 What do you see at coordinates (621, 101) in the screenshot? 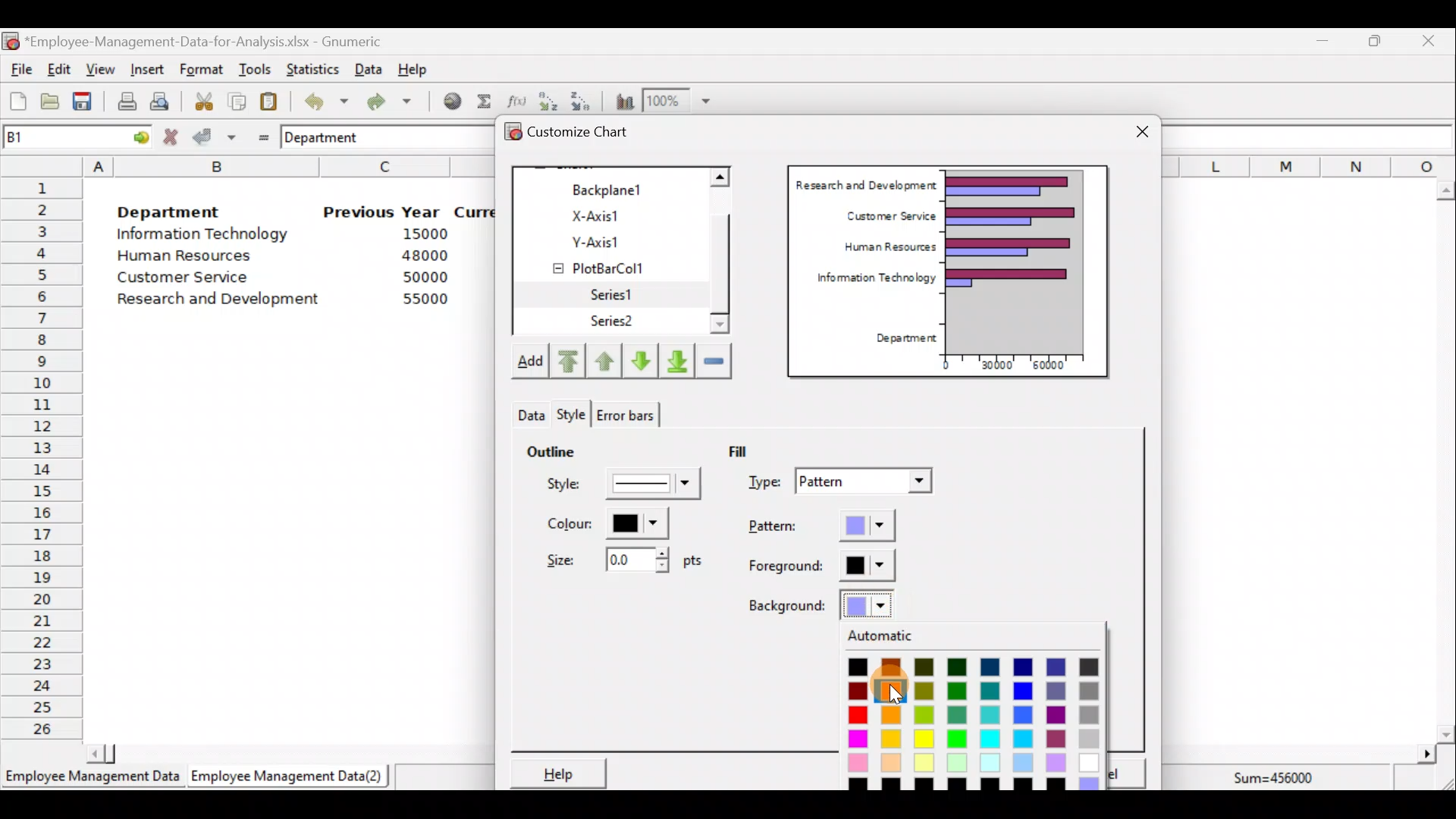
I see `Insert a chart` at bounding box center [621, 101].